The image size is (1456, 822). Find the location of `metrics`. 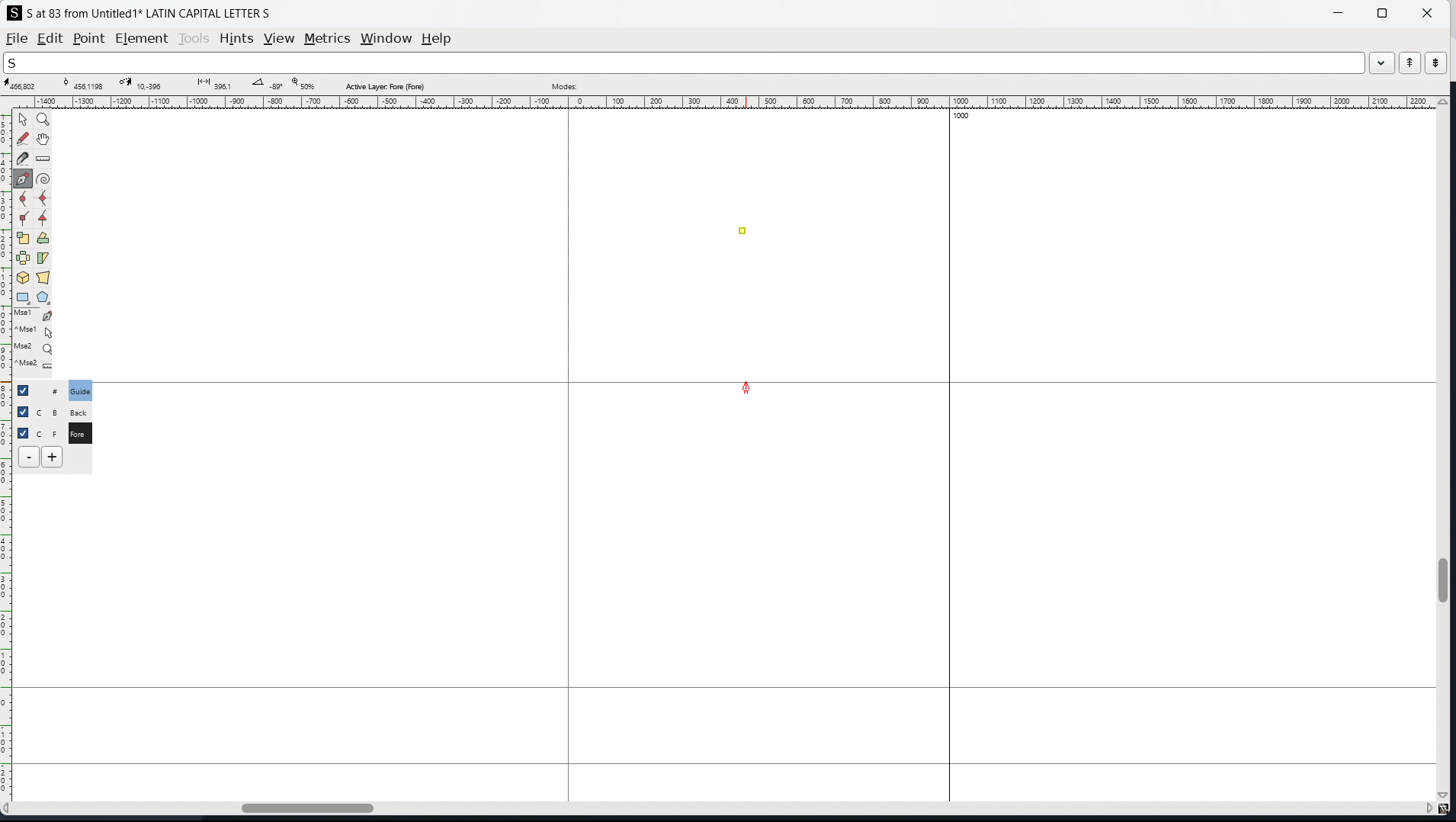

metrics is located at coordinates (327, 38).